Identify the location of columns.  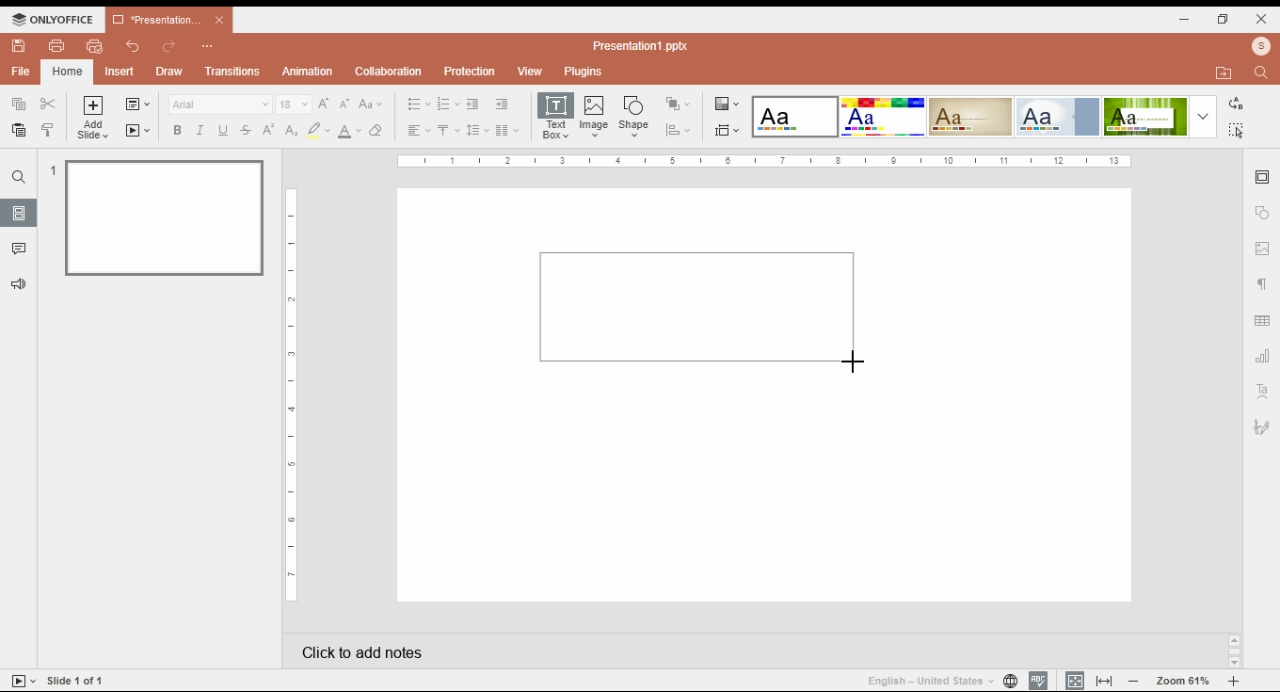
(509, 130).